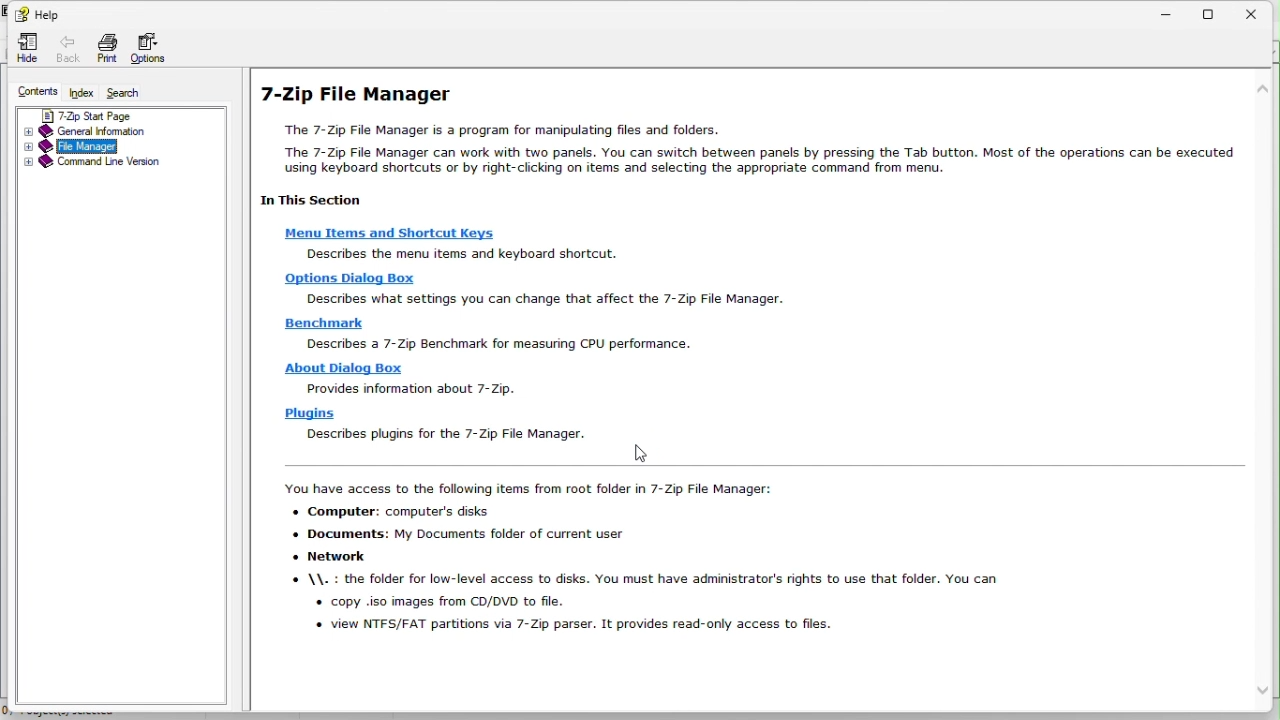  I want to click on Options, so click(155, 49).